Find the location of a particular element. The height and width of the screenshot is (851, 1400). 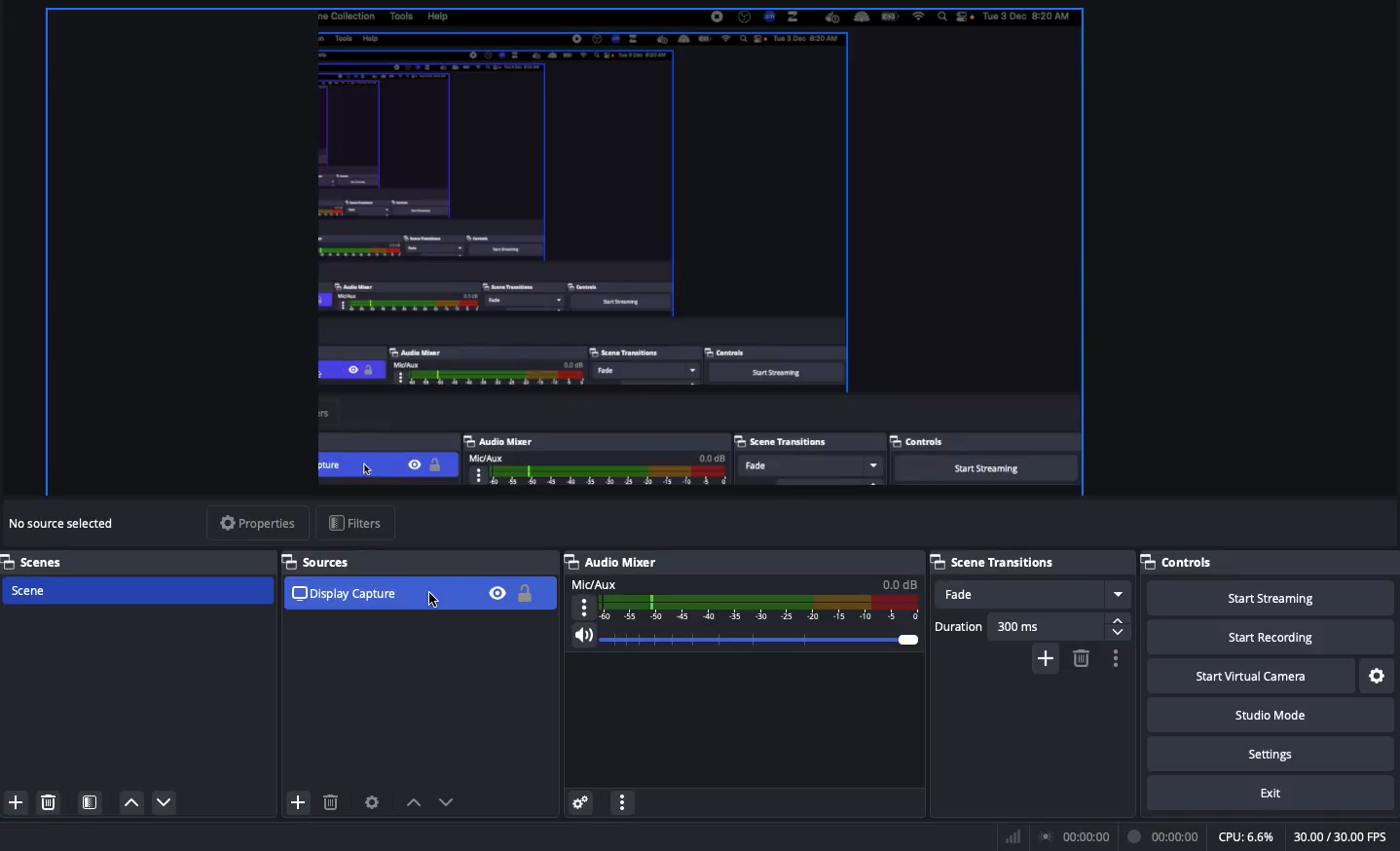

Filters is located at coordinates (354, 522).